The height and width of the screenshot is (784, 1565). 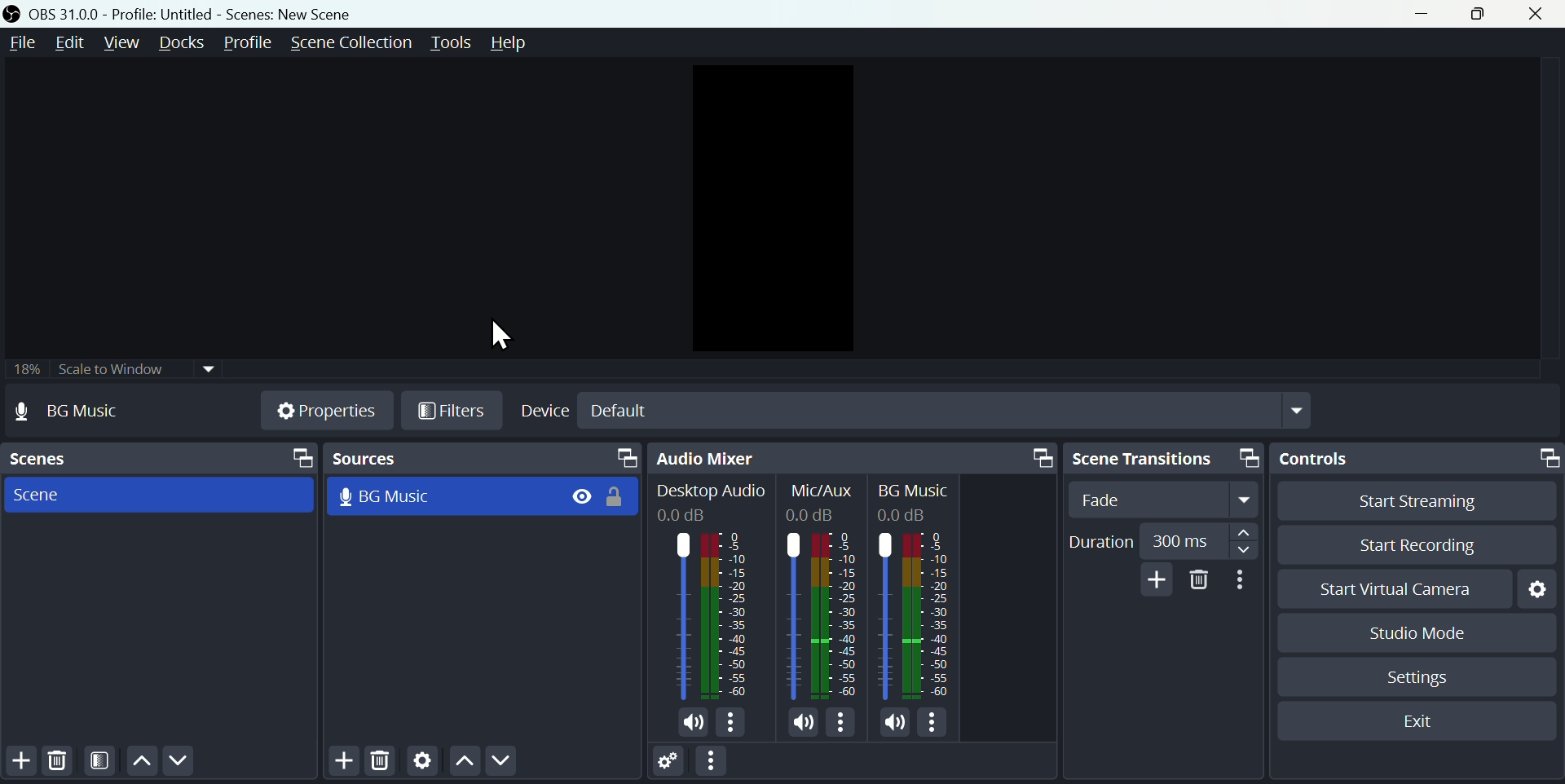 I want to click on Exit, so click(x=1424, y=724).